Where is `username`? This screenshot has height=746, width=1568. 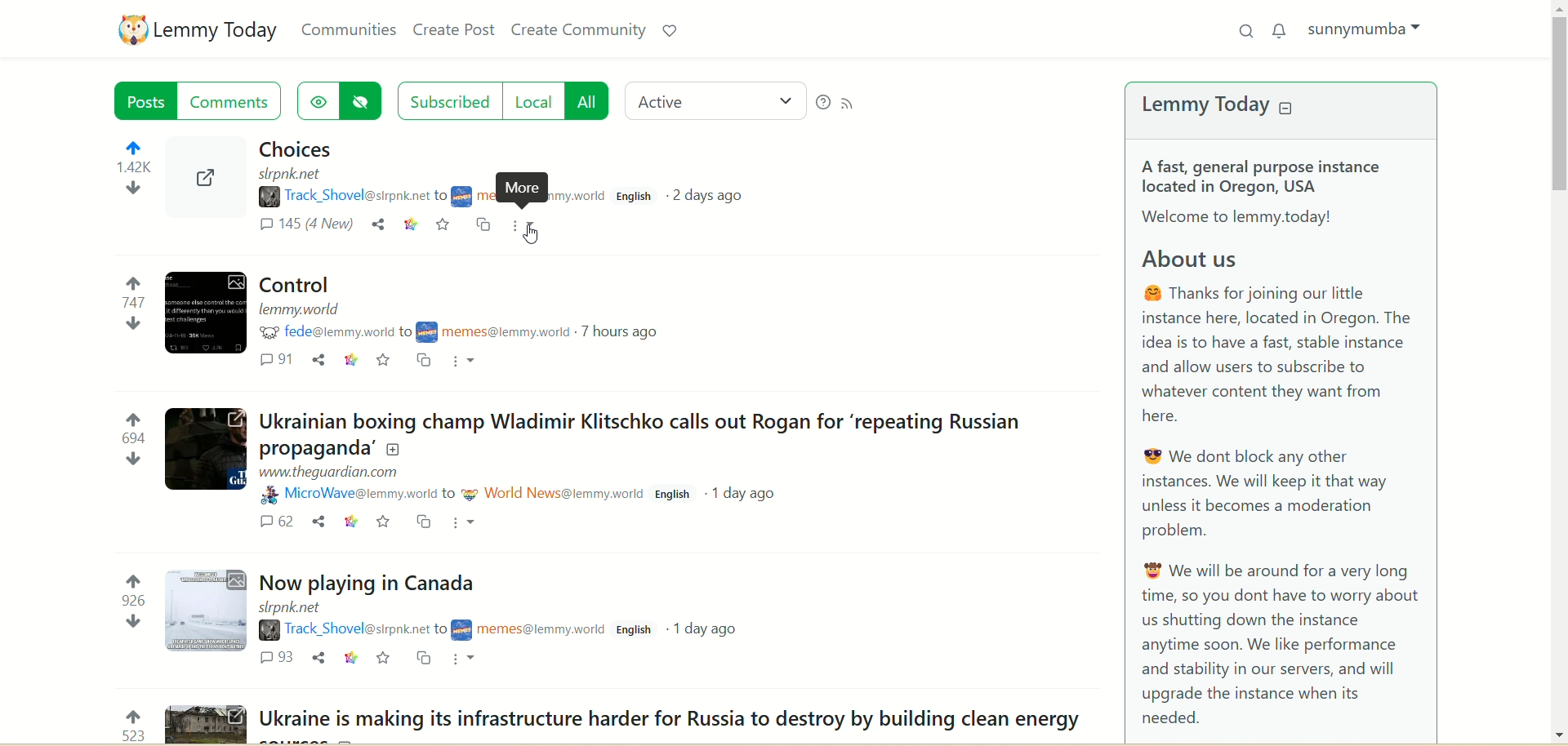 username is located at coordinates (355, 495).